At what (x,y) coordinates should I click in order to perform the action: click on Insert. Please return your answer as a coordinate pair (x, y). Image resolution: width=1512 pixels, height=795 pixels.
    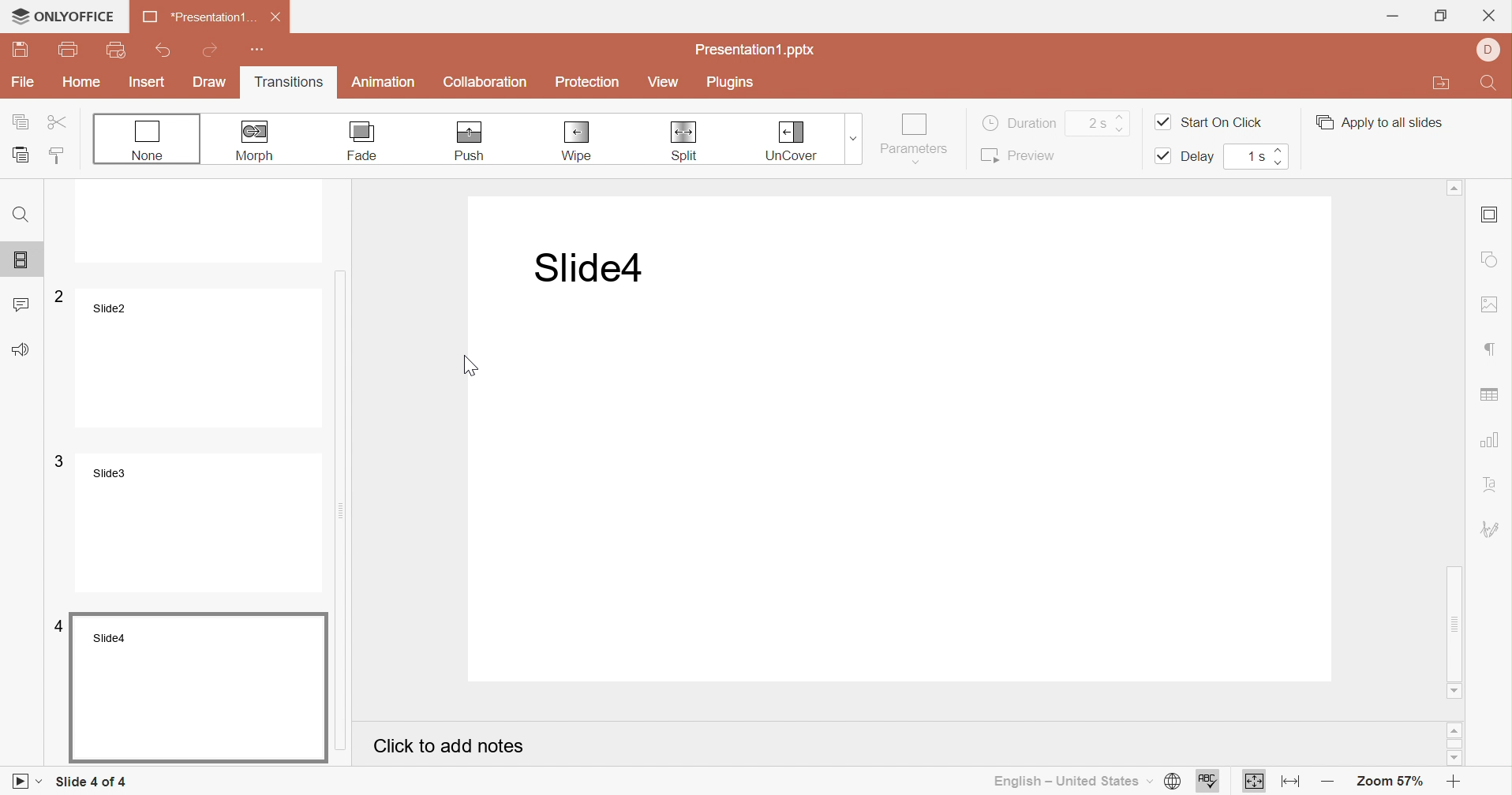
    Looking at the image, I should click on (148, 83).